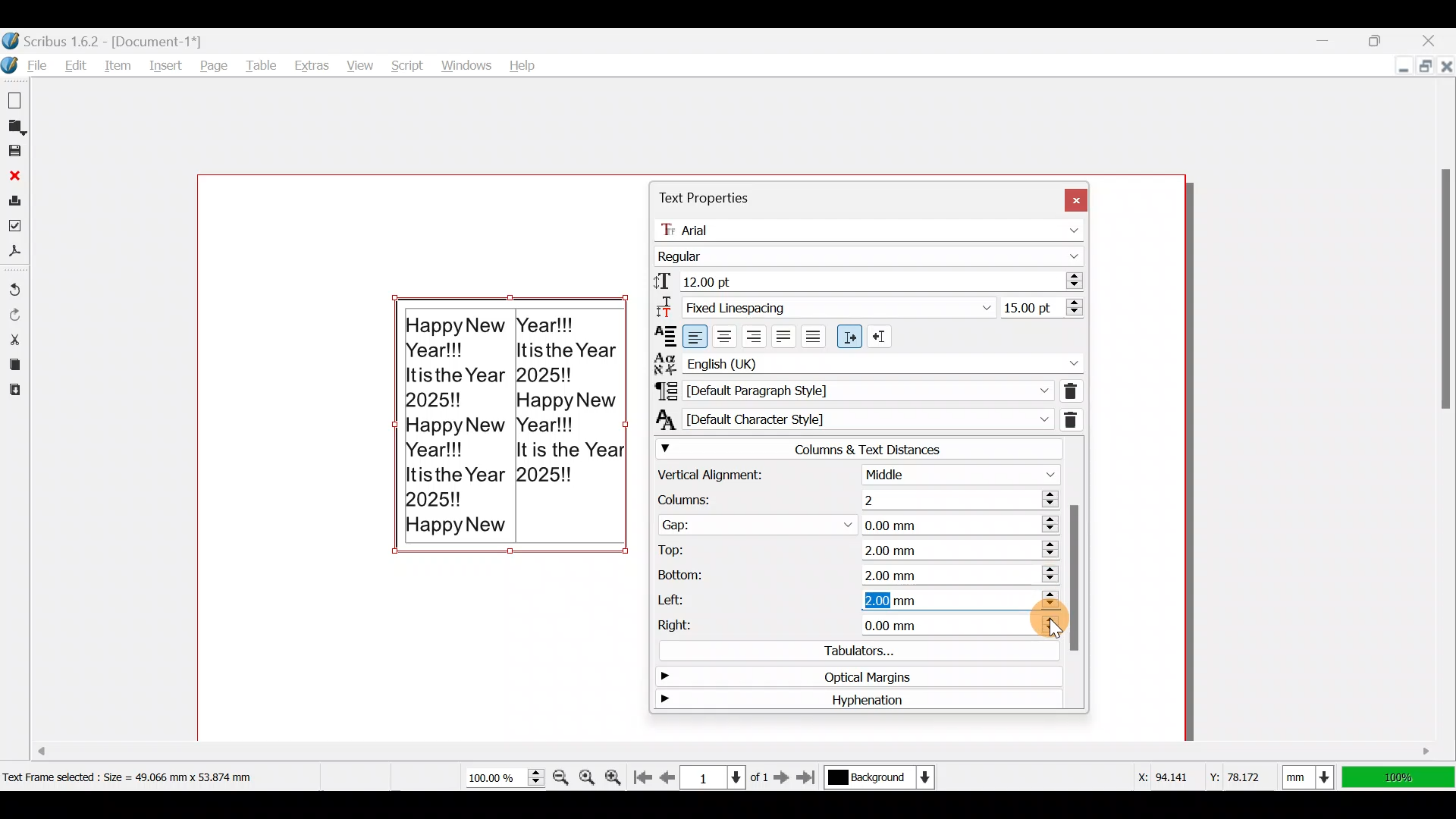  I want to click on Y-axis dimension values, so click(1243, 771).